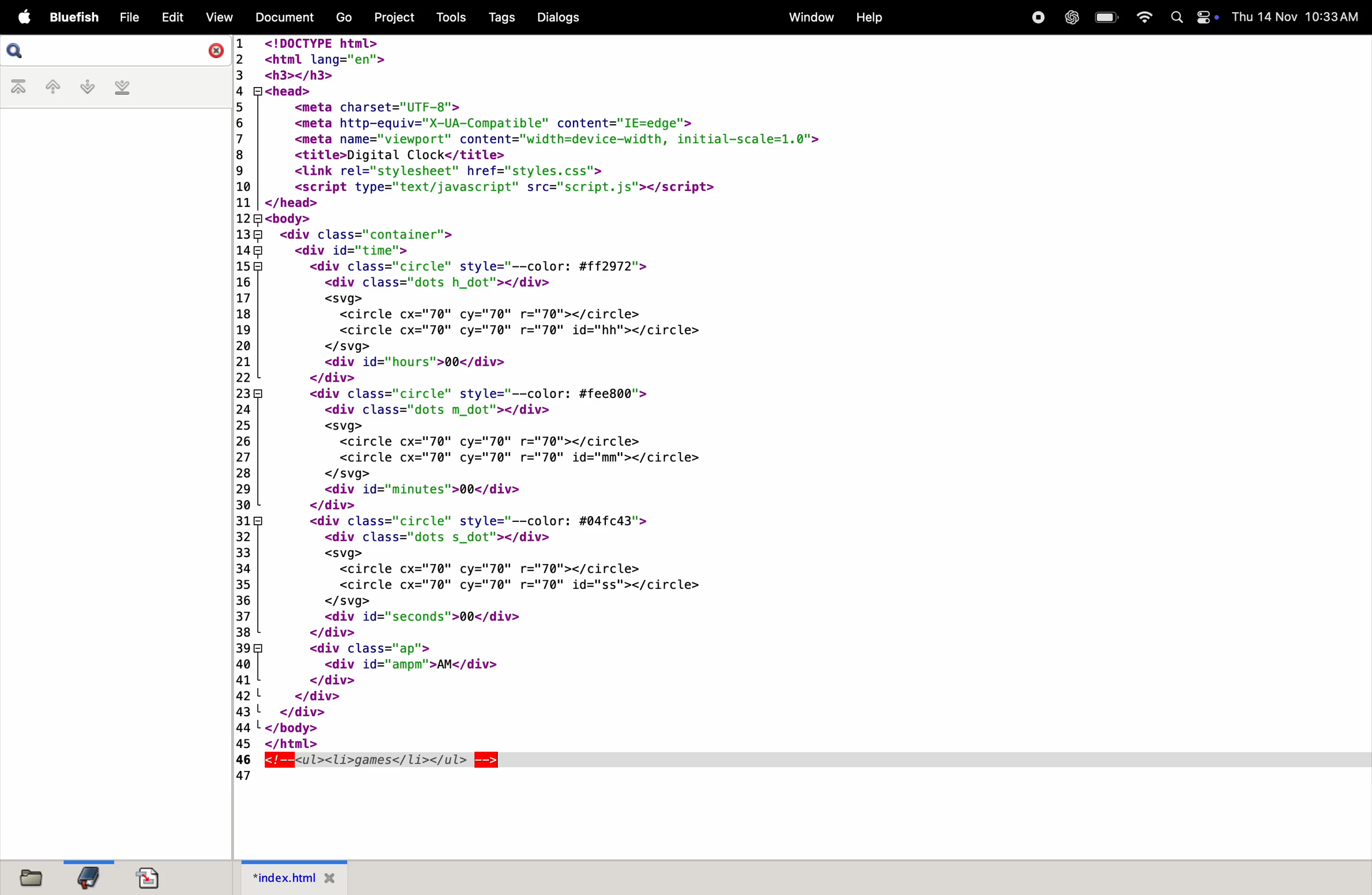 Image resolution: width=1372 pixels, height=895 pixels. Describe the element at coordinates (149, 874) in the screenshot. I see `document` at that location.